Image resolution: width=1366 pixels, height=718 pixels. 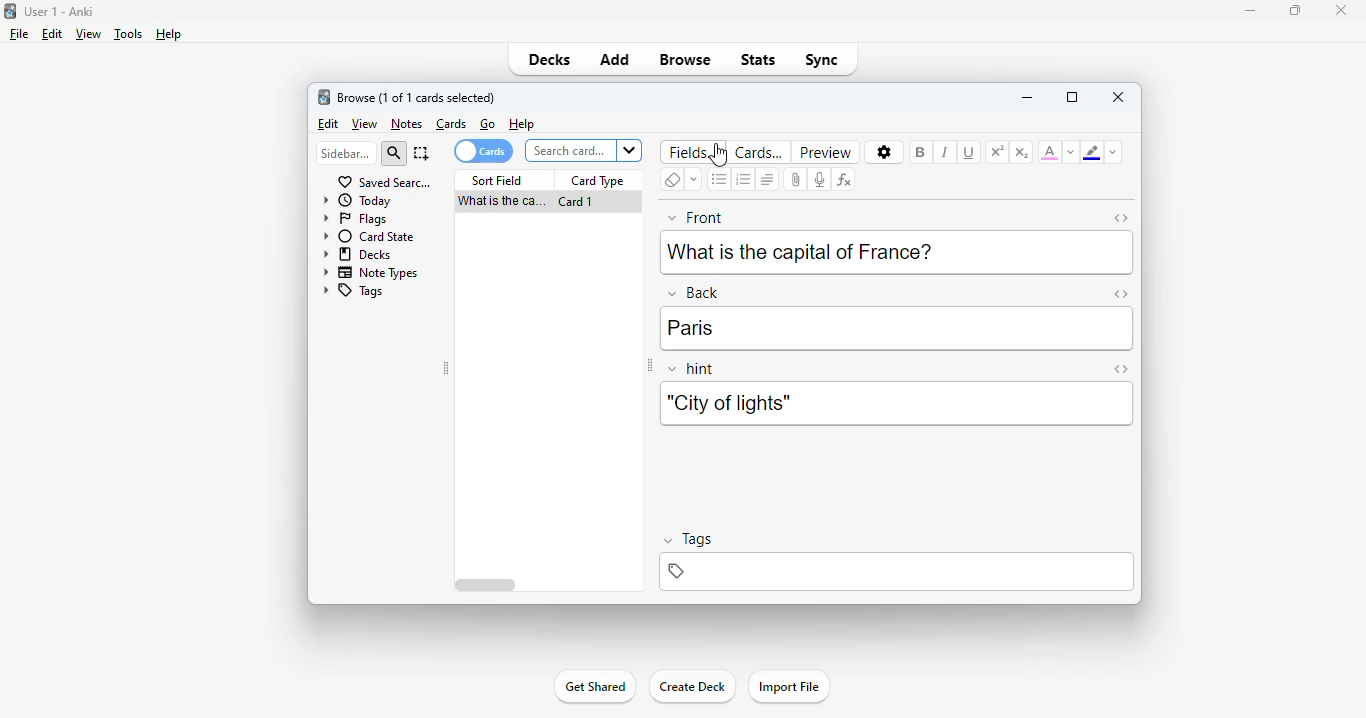 I want to click on search bar, so click(x=582, y=150).